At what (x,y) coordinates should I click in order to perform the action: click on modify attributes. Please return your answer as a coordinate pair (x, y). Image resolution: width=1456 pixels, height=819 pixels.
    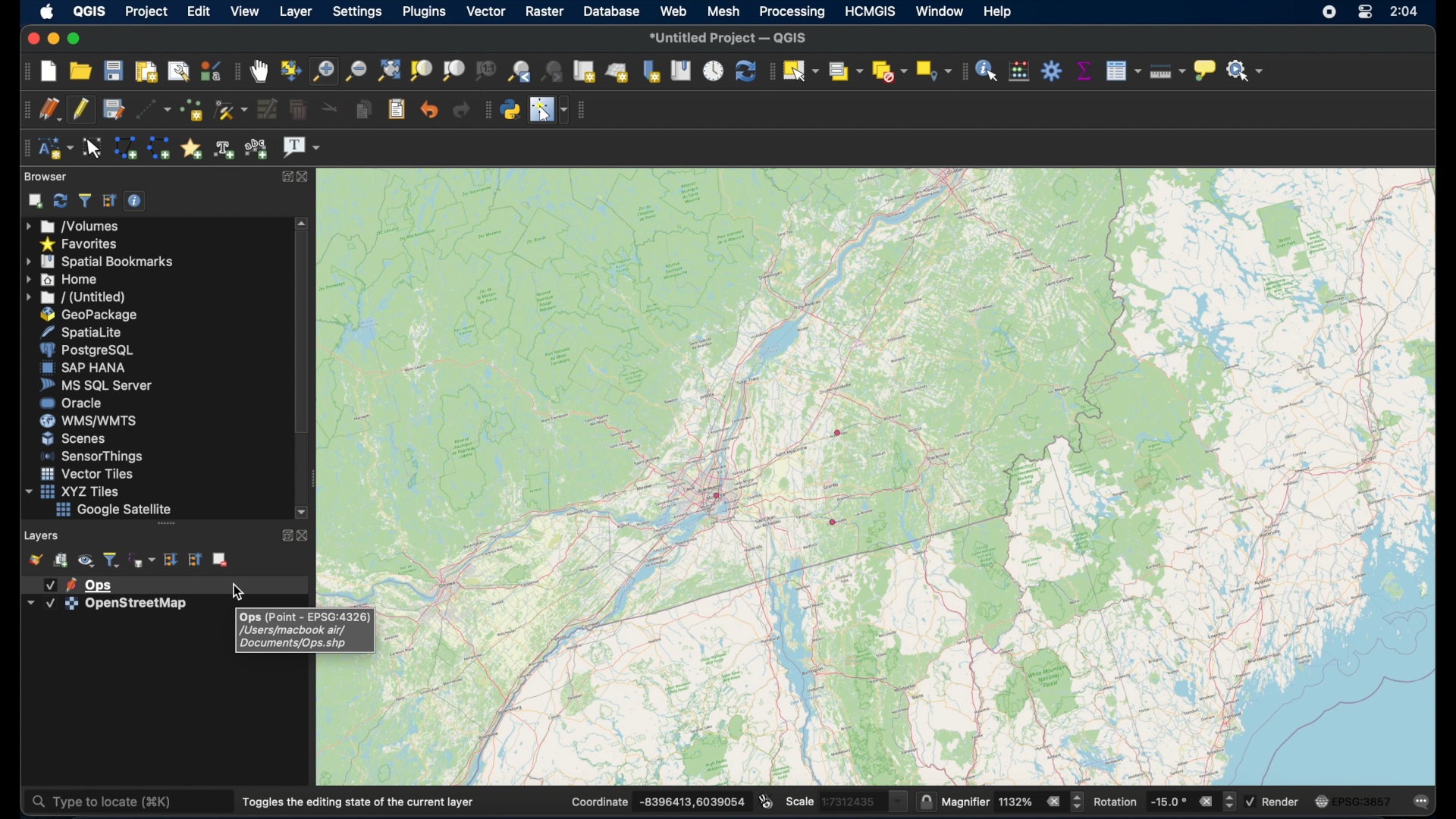
    Looking at the image, I should click on (268, 110).